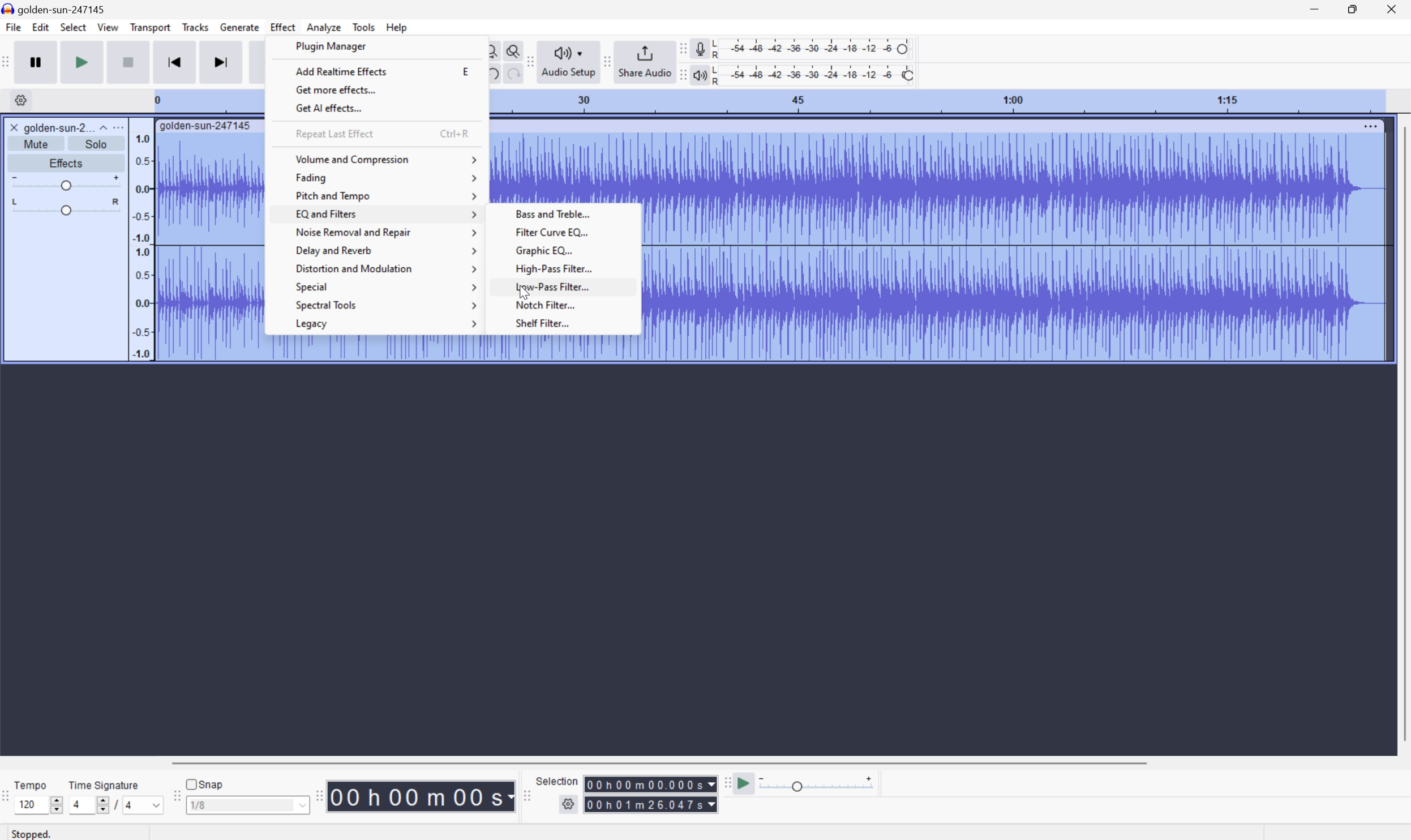 The image size is (1411, 840). What do you see at coordinates (334, 46) in the screenshot?
I see `Plugin Manager` at bounding box center [334, 46].